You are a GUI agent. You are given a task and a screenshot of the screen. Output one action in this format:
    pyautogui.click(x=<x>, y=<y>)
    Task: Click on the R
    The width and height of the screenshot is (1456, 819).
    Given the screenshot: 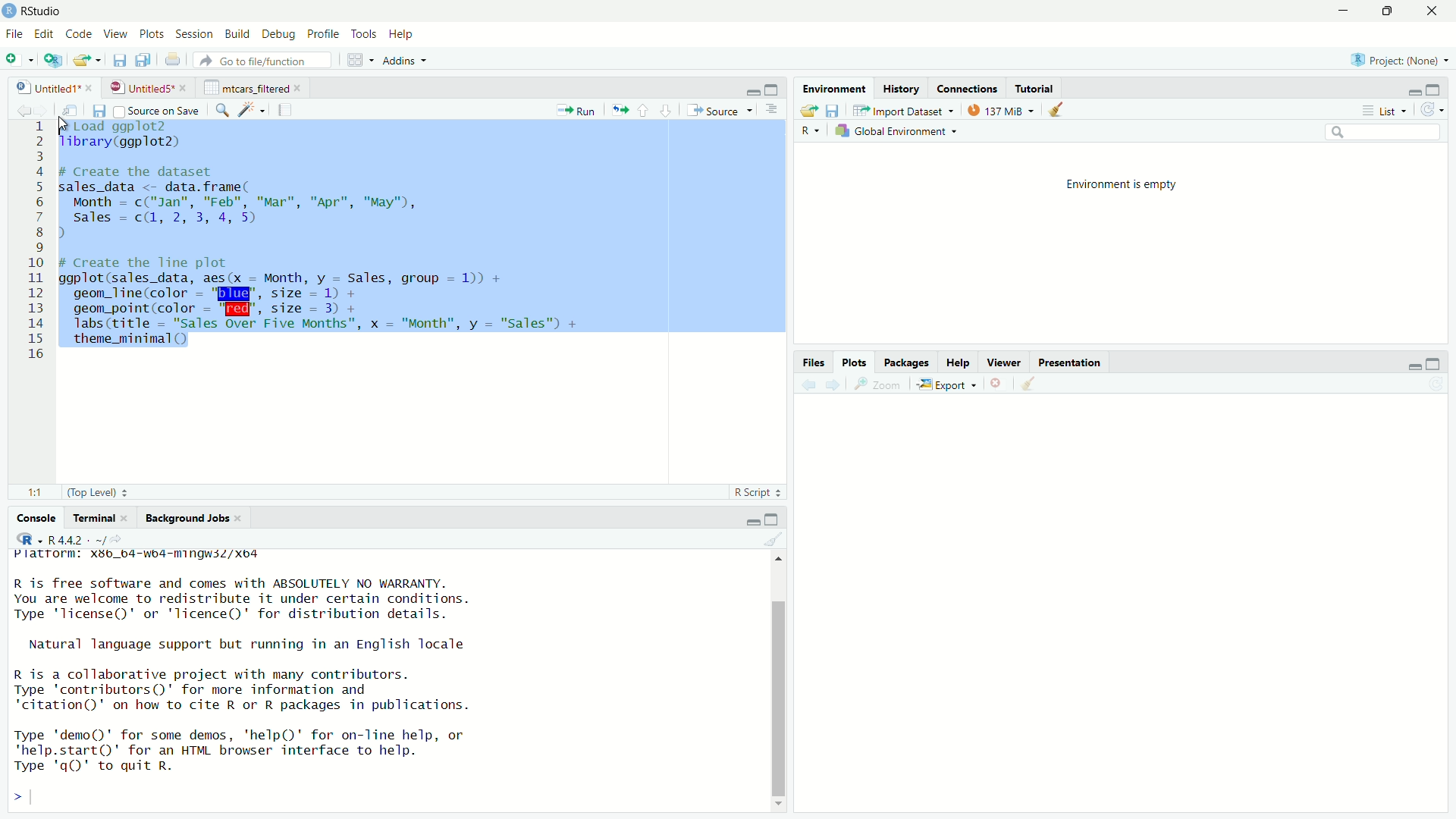 What is the action you would take?
    pyautogui.click(x=29, y=538)
    